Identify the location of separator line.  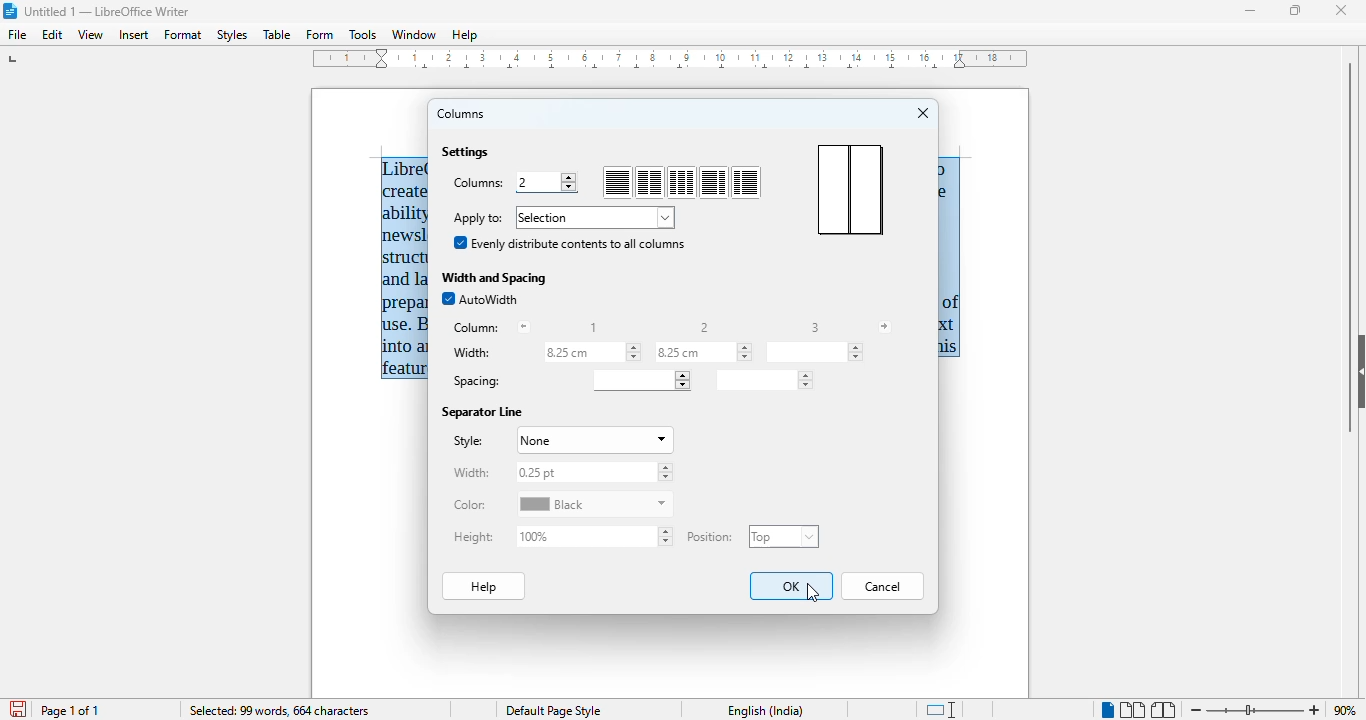
(483, 413).